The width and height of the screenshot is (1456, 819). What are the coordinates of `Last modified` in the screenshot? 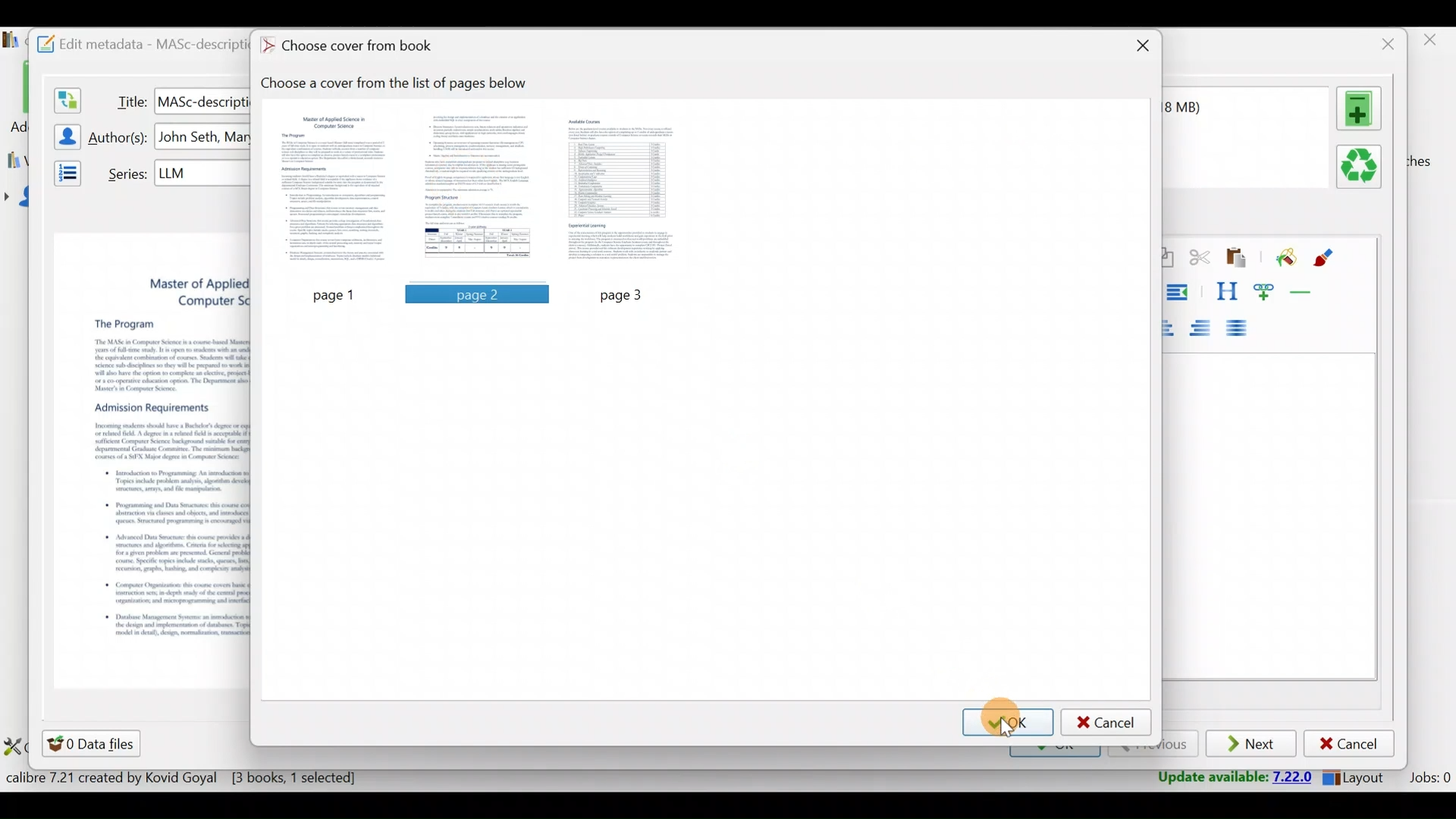 It's located at (1203, 107).